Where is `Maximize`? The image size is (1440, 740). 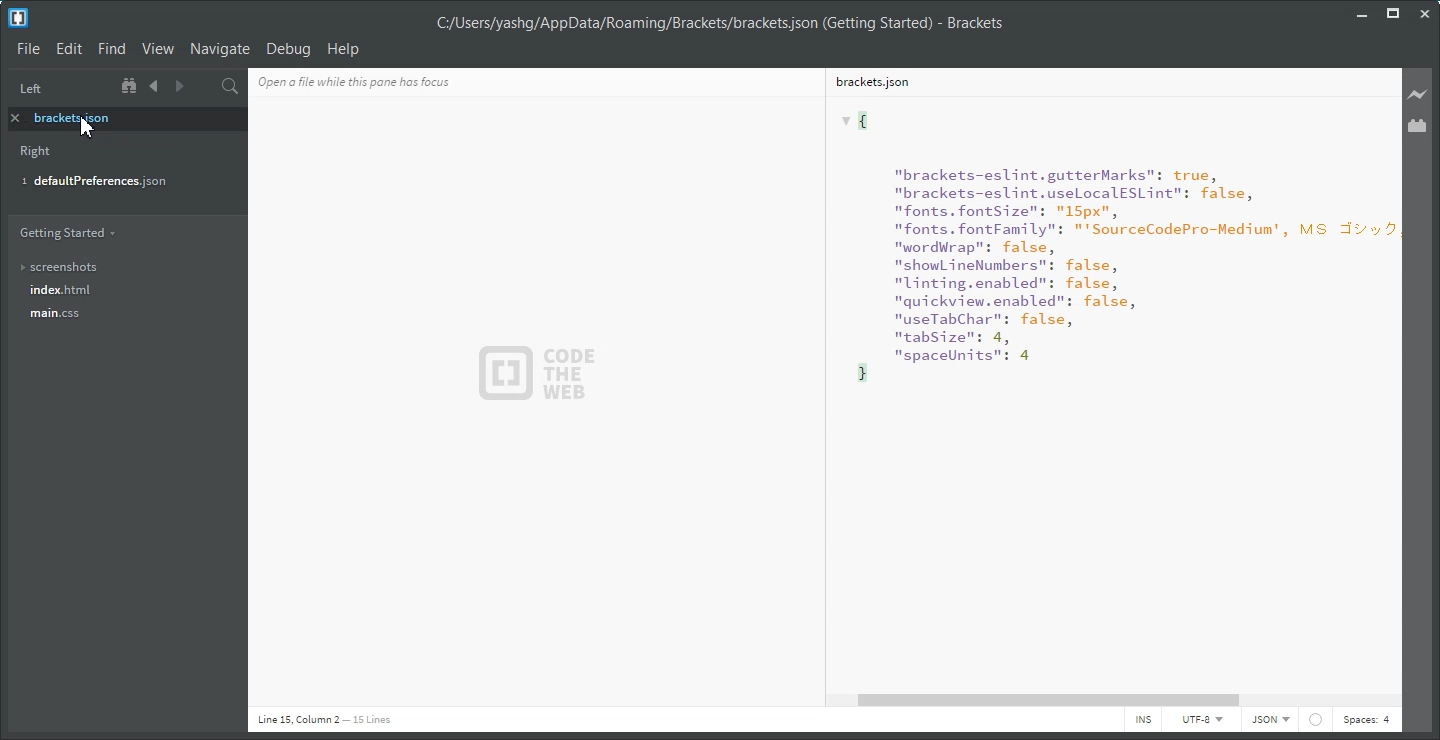
Maximize is located at coordinates (1393, 13).